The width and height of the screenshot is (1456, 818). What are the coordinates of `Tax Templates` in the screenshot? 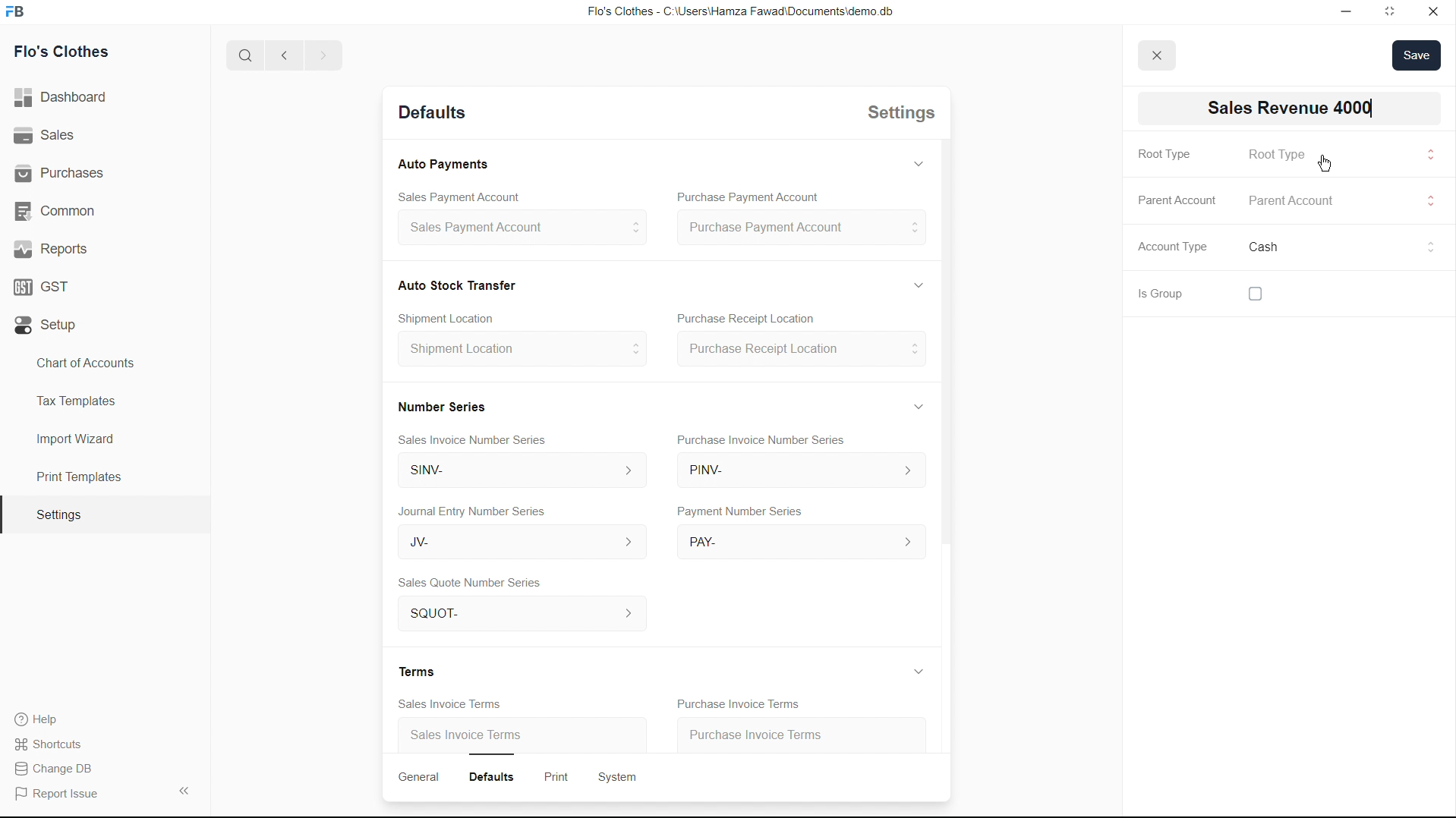 It's located at (73, 398).